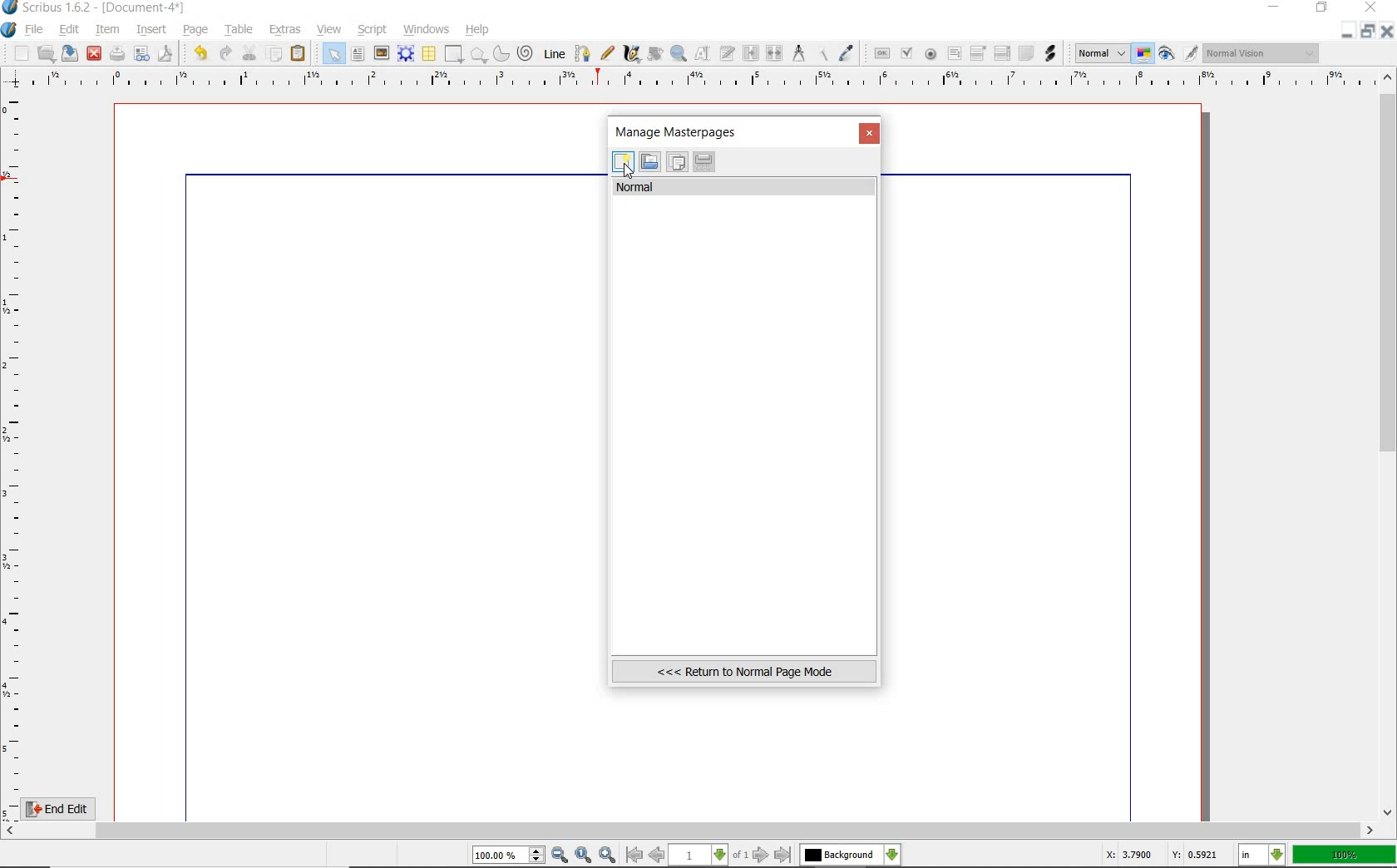 The image size is (1397, 868). I want to click on manage masterpages, so click(681, 131).